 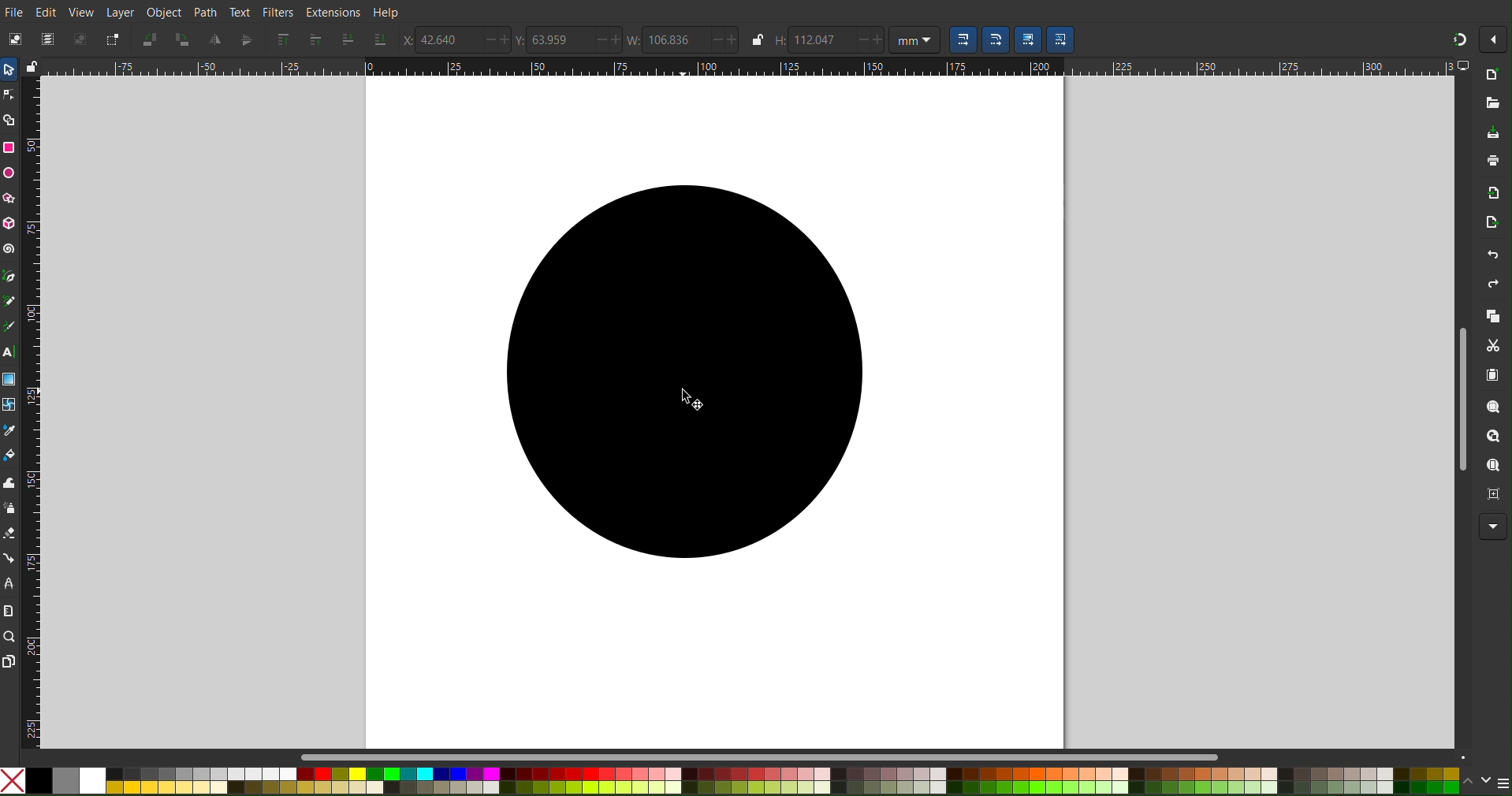 I want to click on increase/decrease, so click(x=609, y=39).